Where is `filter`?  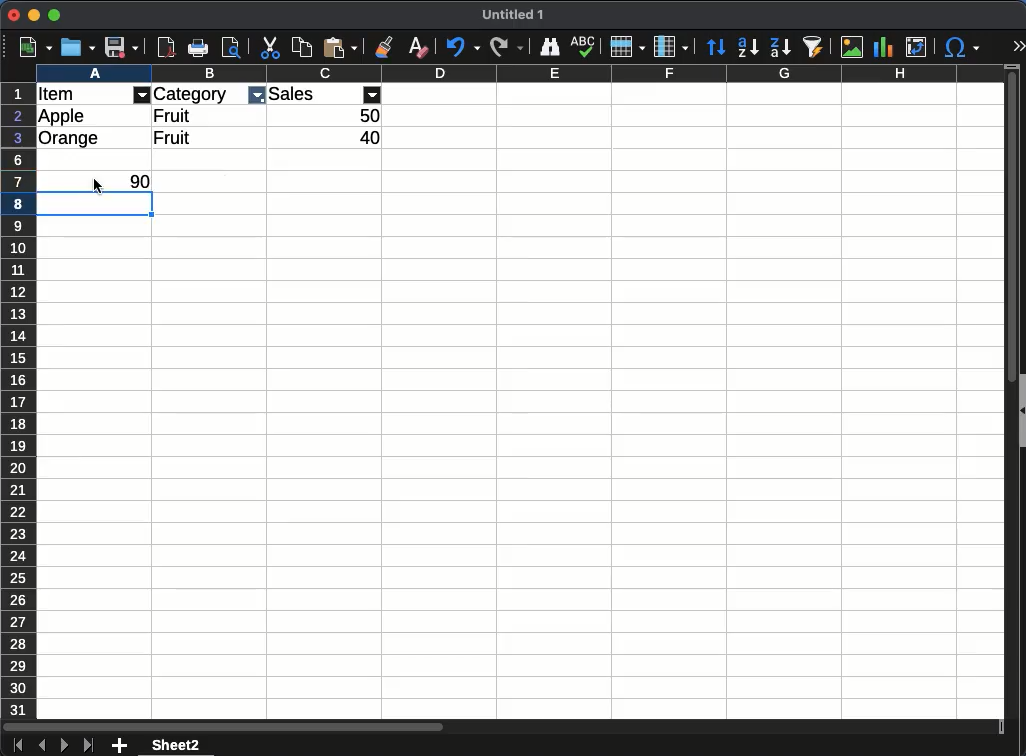
filter is located at coordinates (256, 96).